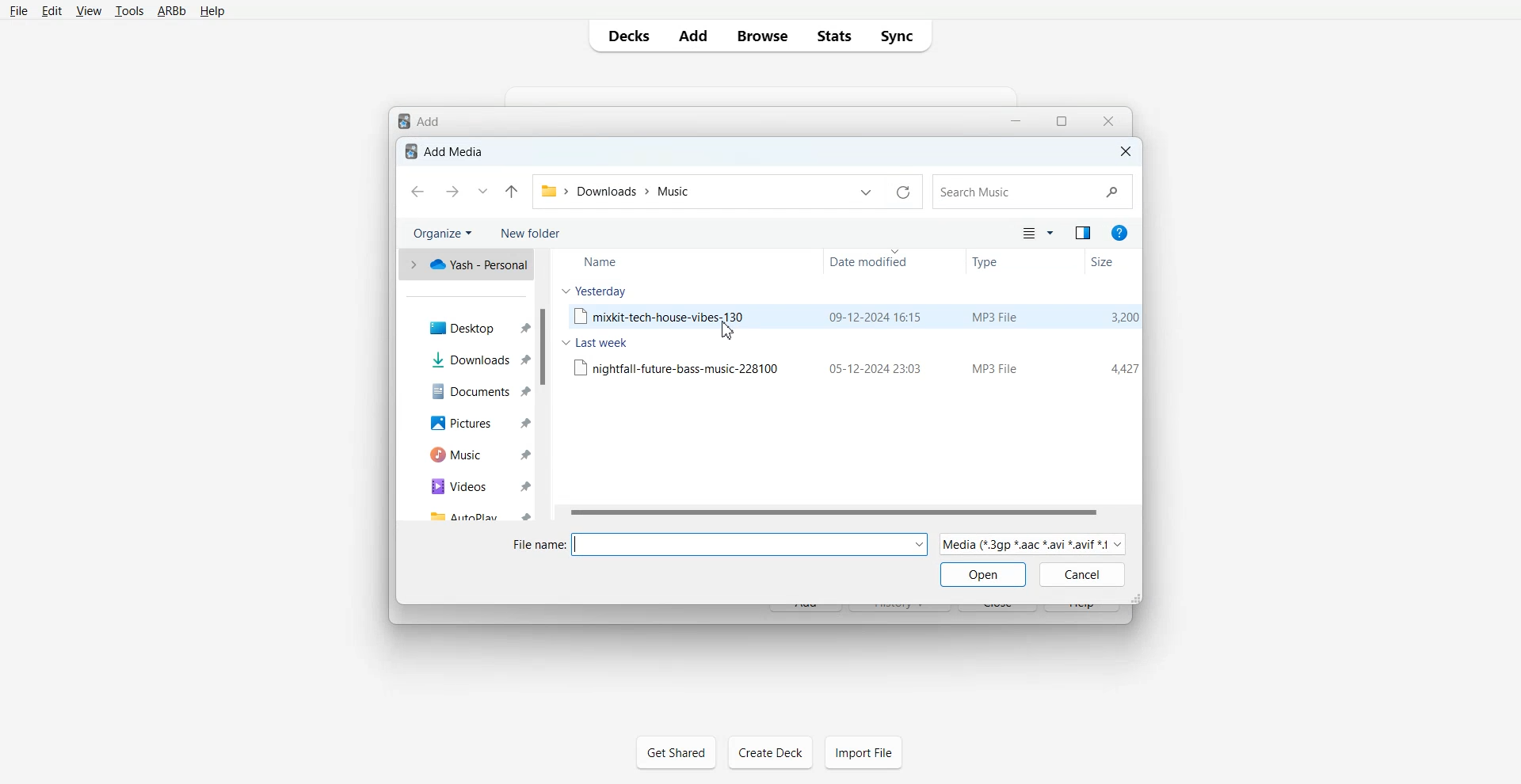  What do you see at coordinates (478, 390) in the screenshot?
I see `Documents` at bounding box center [478, 390].